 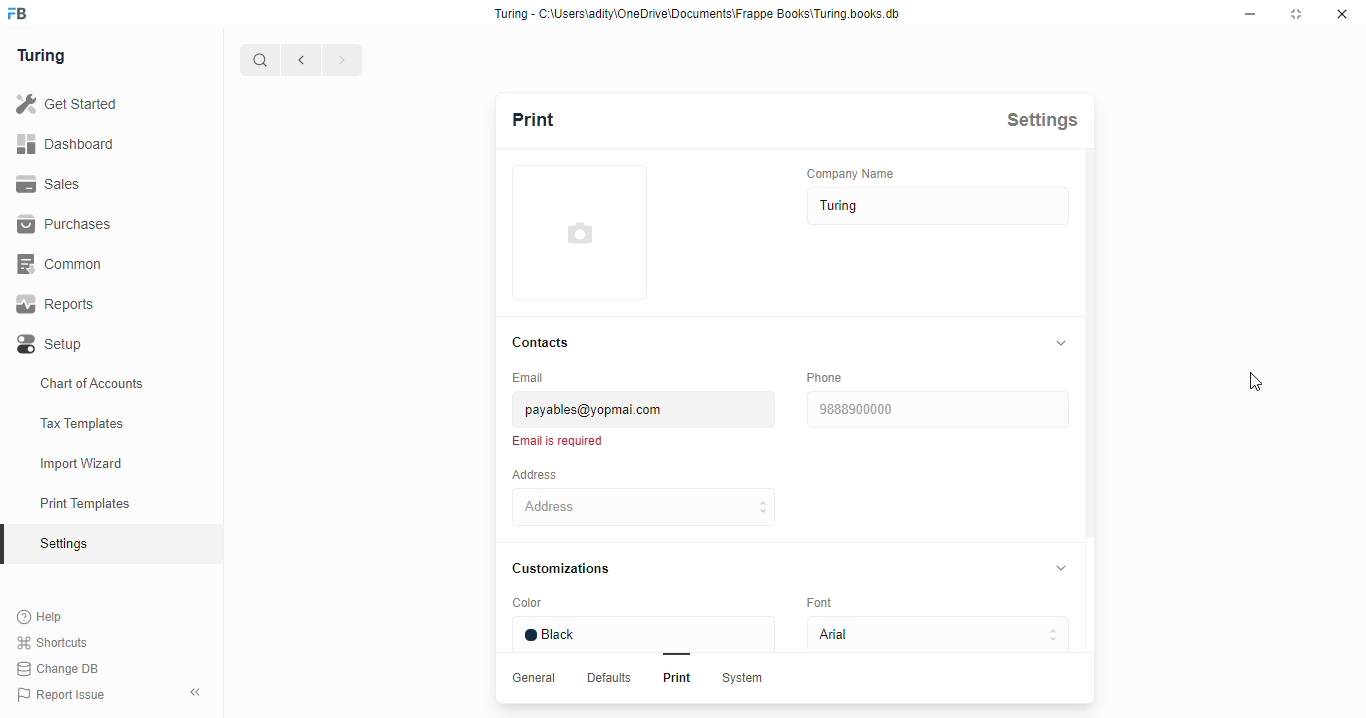 I want to click on frappebooks logo, so click(x=26, y=14).